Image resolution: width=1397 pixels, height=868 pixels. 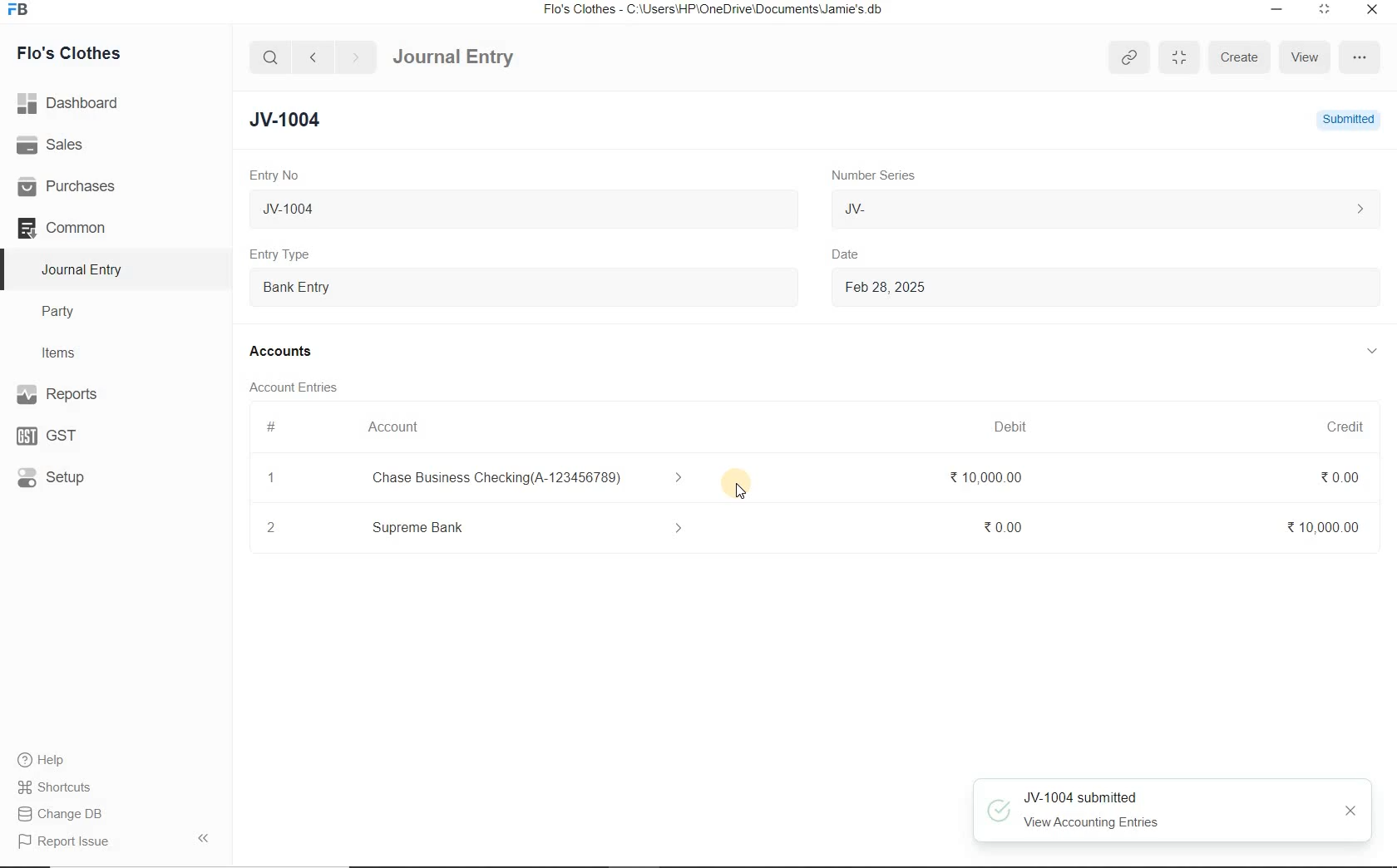 What do you see at coordinates (272, 480) in the screenshot?
I see `1` at bounding box center [272, 480].